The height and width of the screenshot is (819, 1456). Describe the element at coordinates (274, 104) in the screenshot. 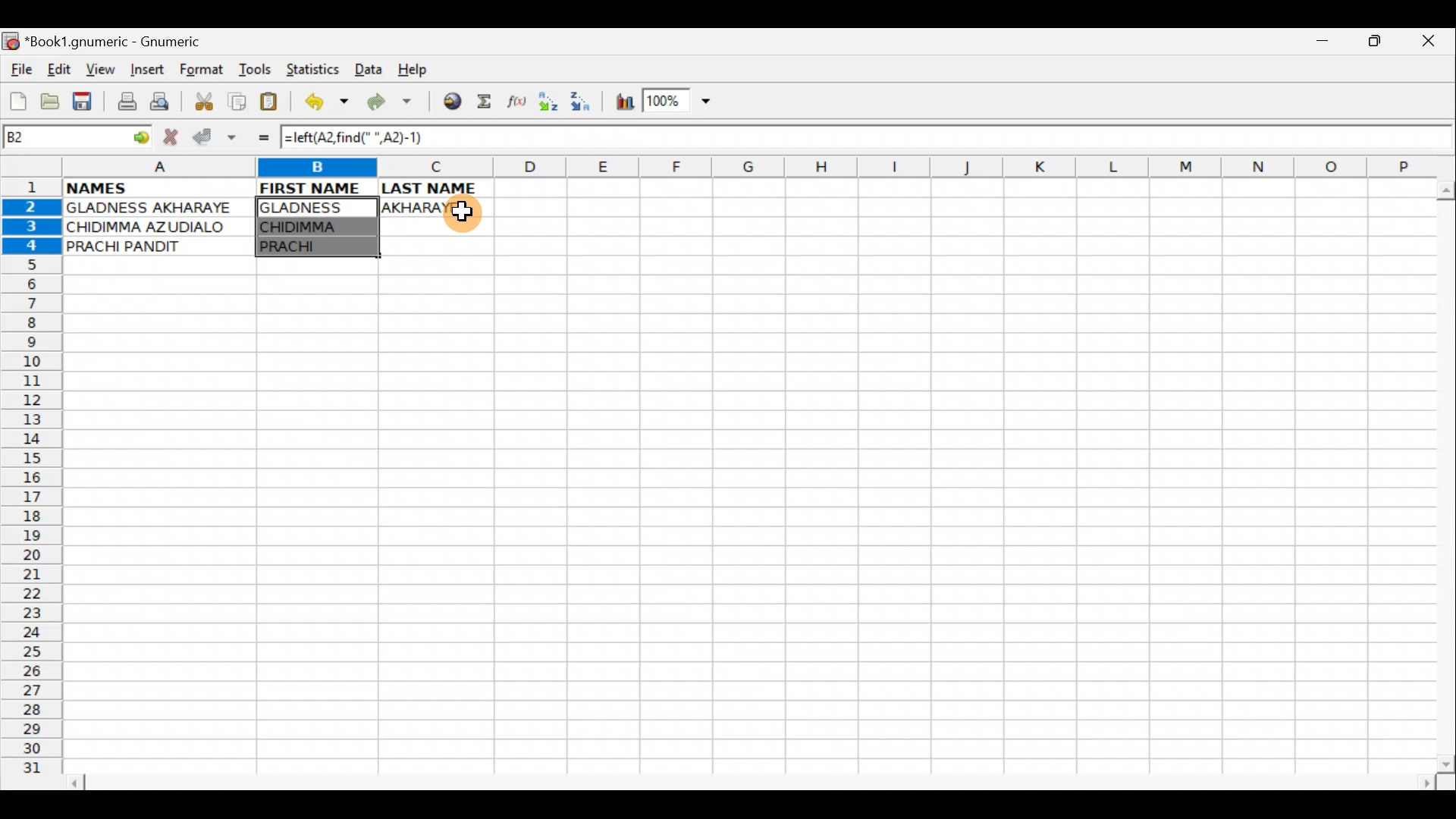

I see `Paste clipboard` at that location.